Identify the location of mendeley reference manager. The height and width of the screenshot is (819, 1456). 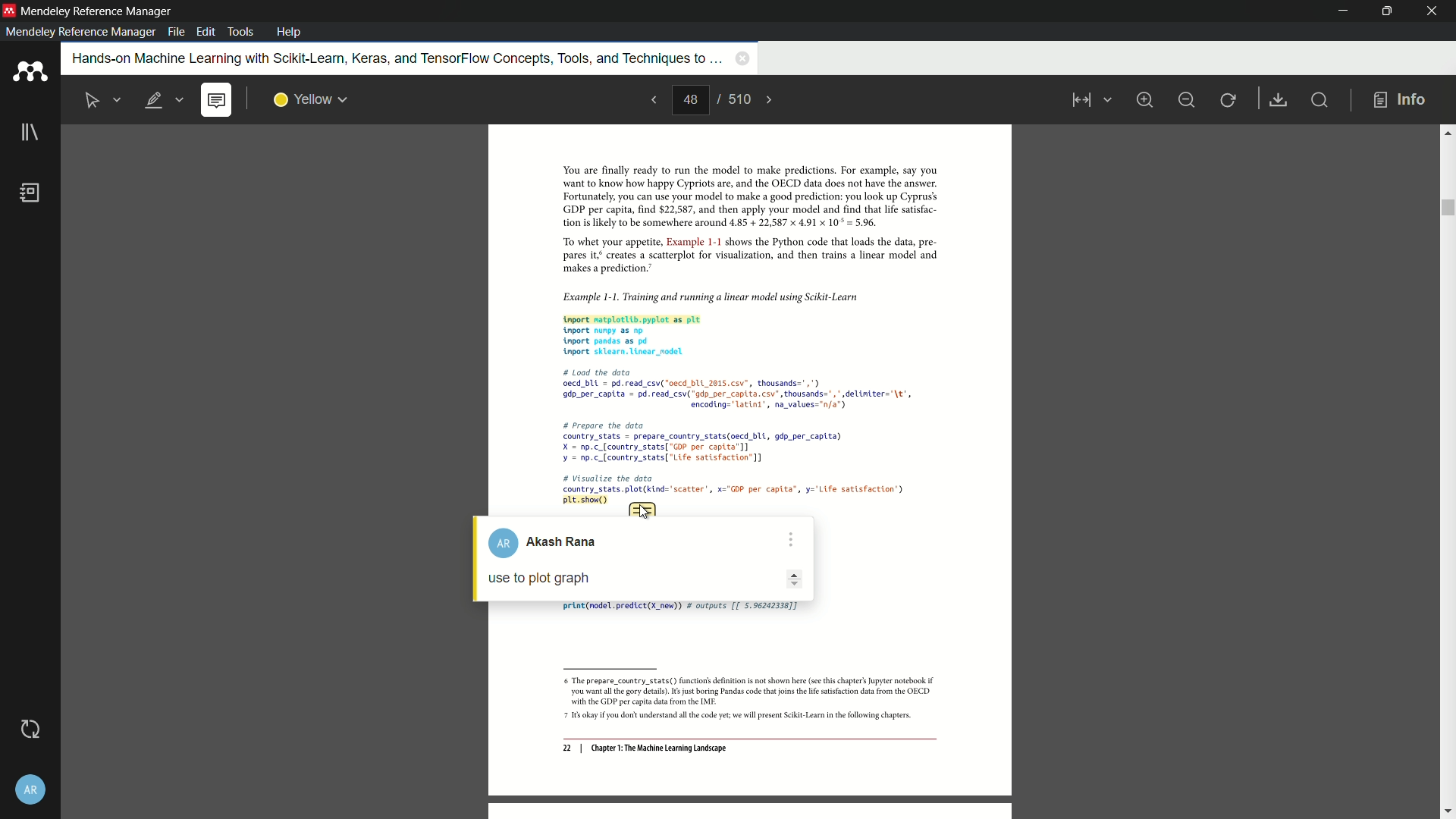
(80, 32).